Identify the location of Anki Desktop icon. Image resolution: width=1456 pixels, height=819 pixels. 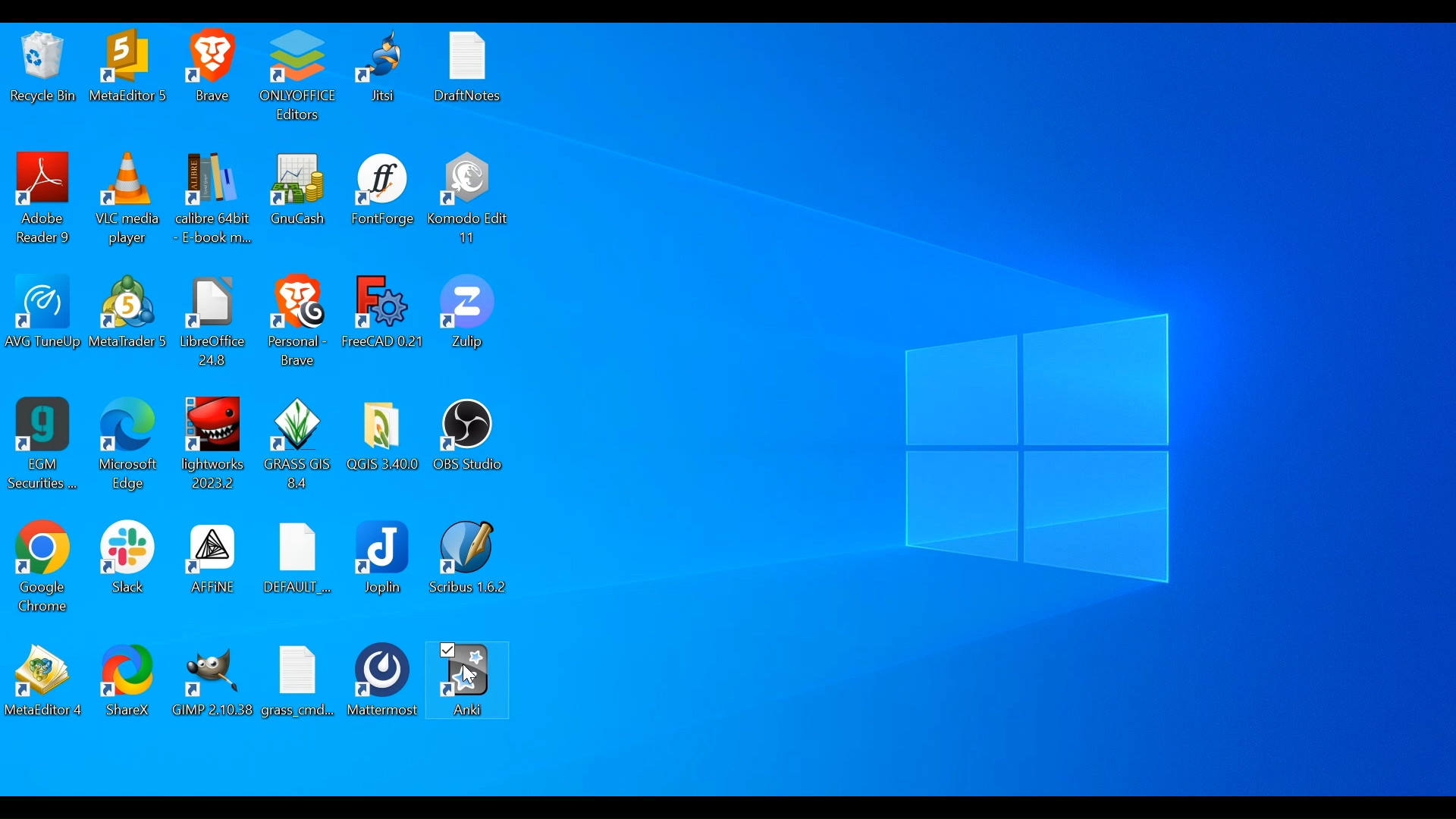
(469, 680).